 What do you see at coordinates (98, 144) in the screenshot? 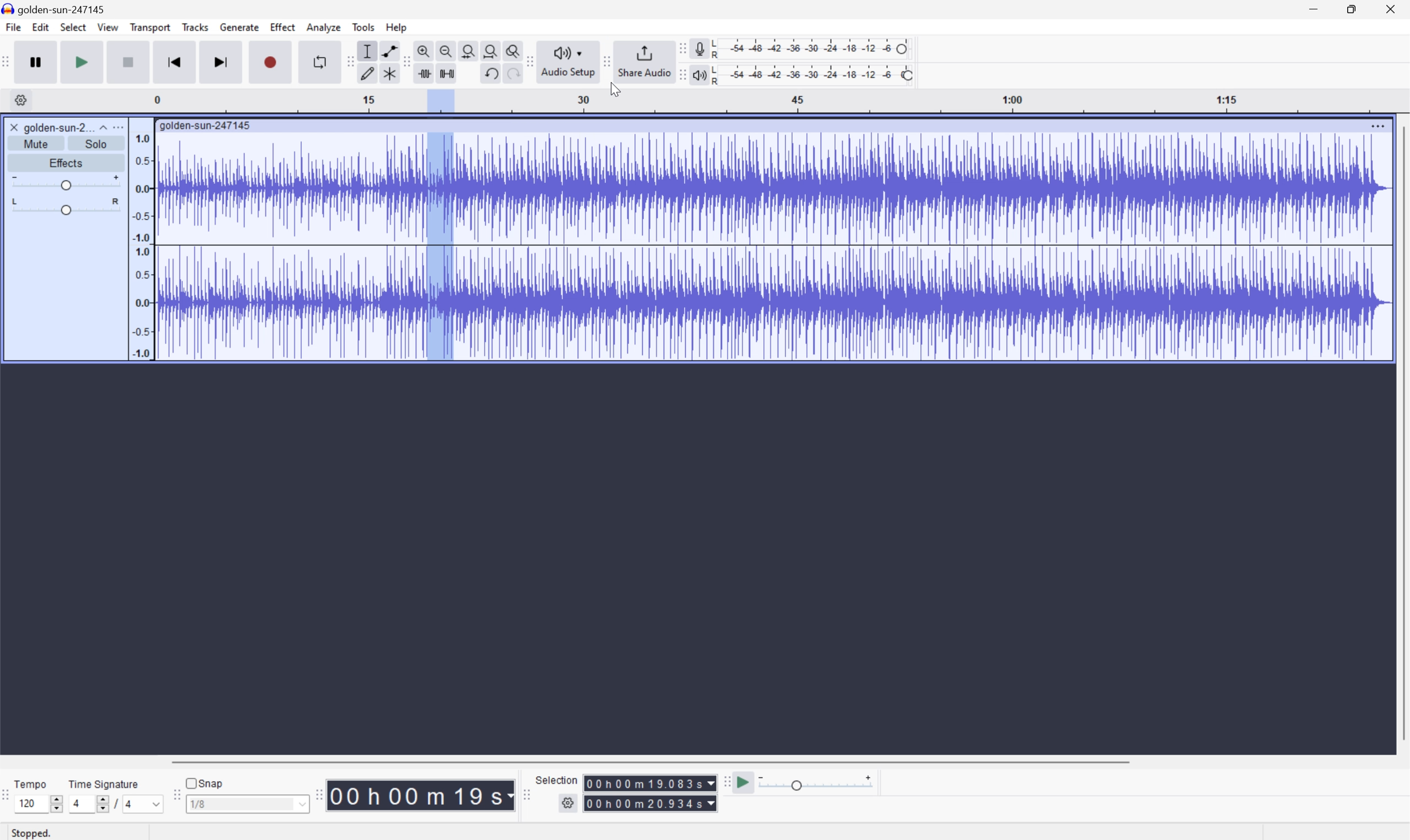
I see `Solo` at bounding box center [98, 144].